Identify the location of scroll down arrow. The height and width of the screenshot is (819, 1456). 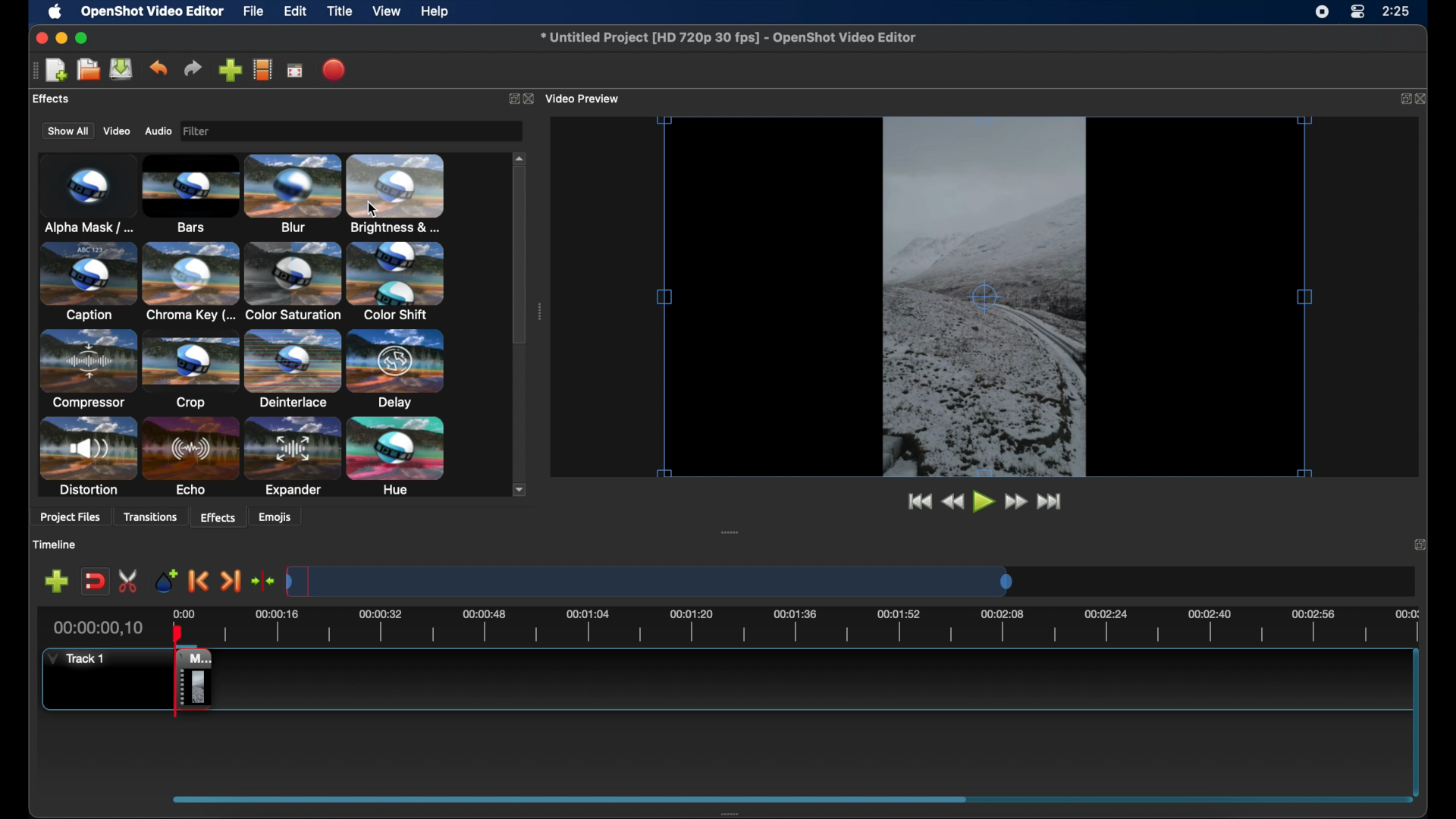
(522, 490).